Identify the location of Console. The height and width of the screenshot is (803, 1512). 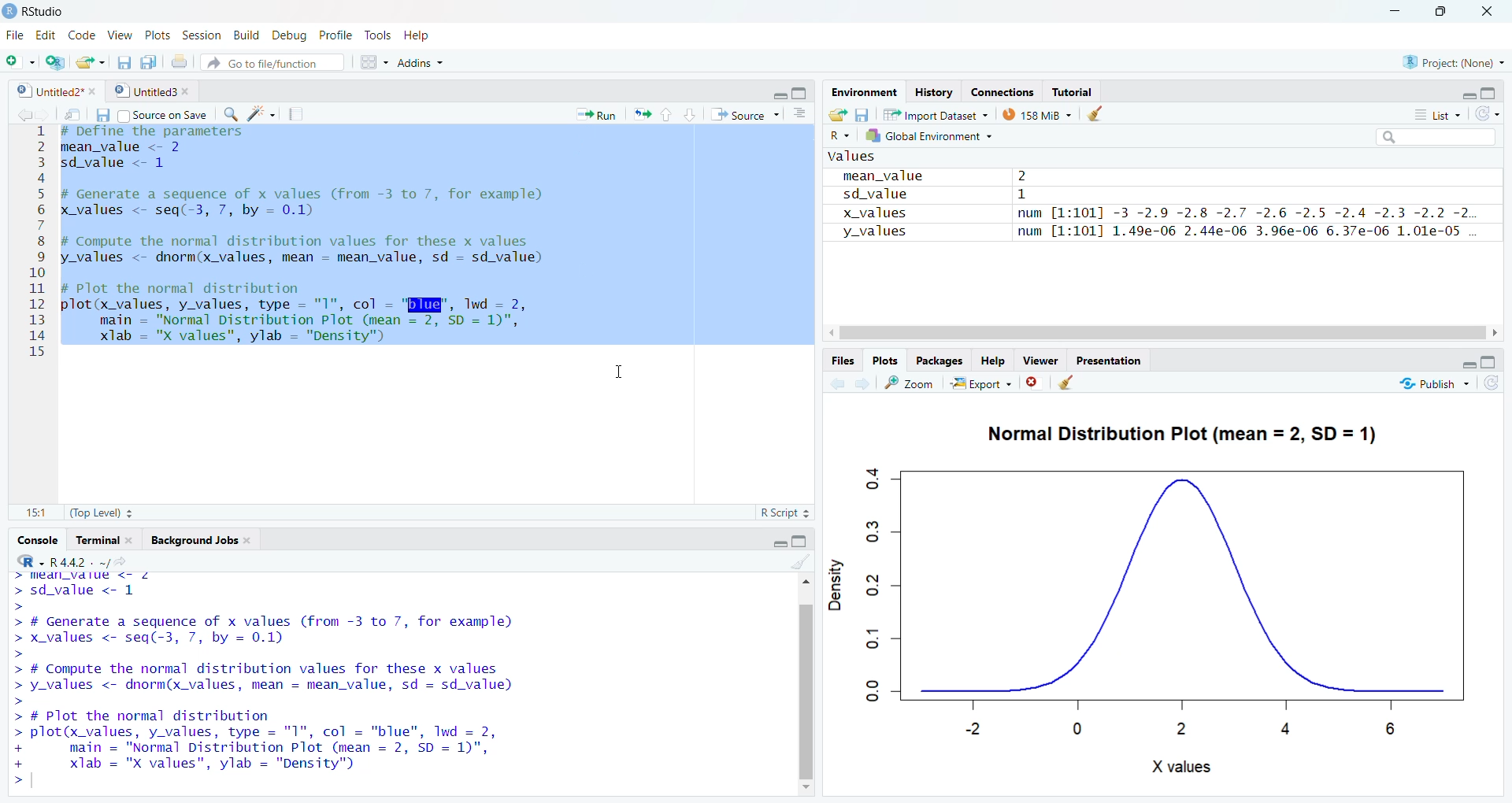
(37, 538).